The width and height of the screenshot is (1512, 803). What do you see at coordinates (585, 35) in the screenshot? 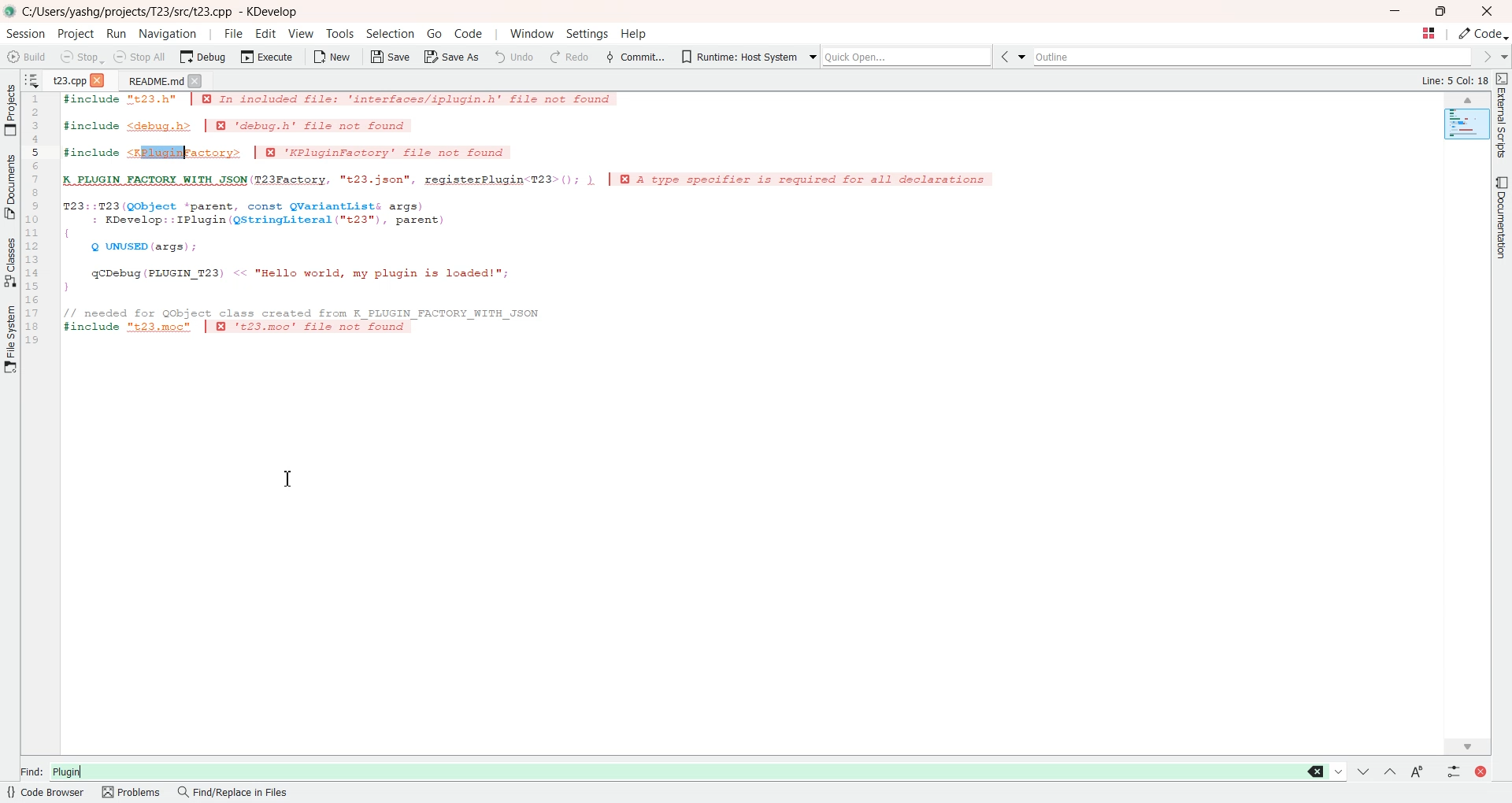
I see `Settings` at bounding box center [585, 35].